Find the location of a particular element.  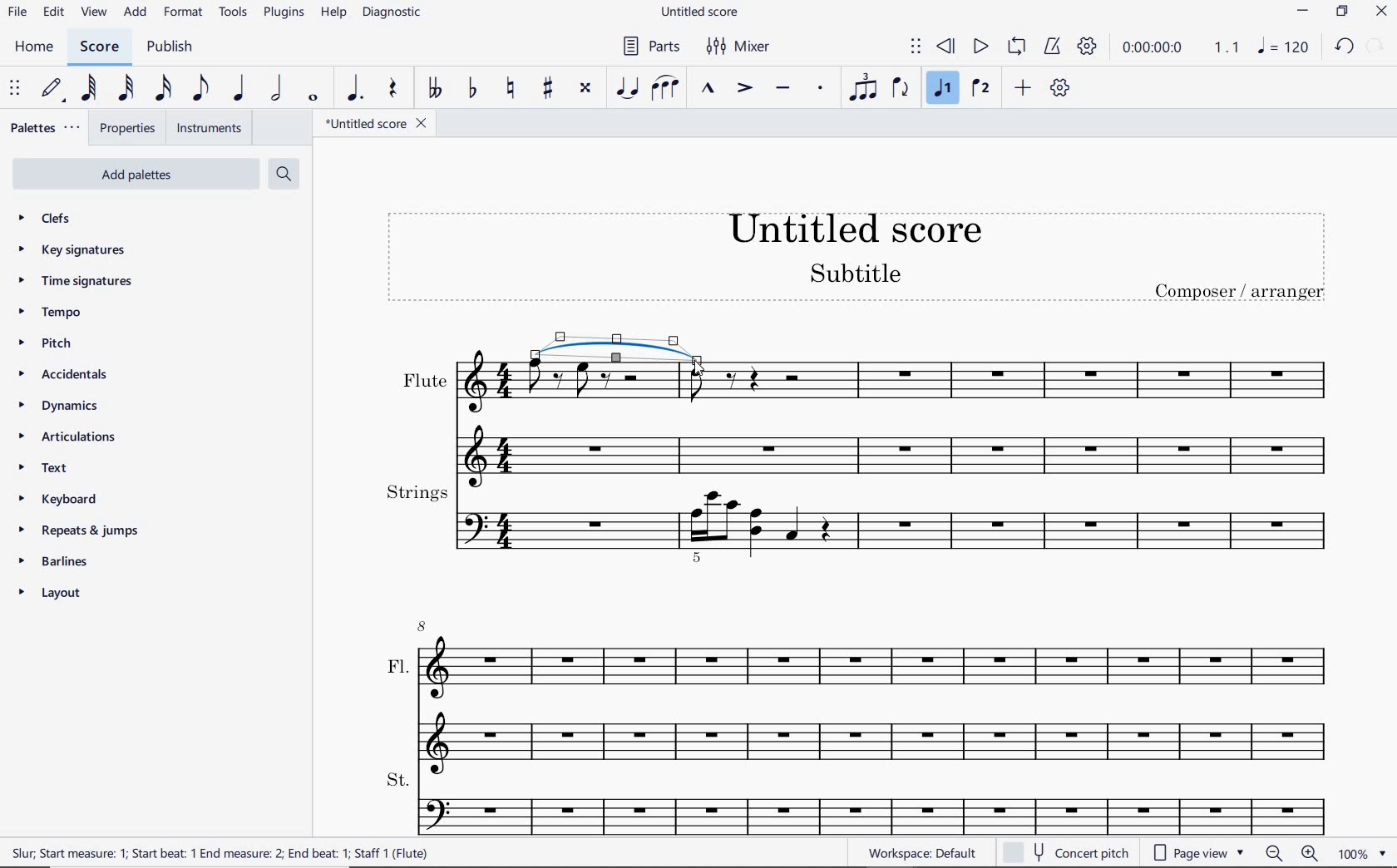

ACCENT is located at coordinates (741, 90).